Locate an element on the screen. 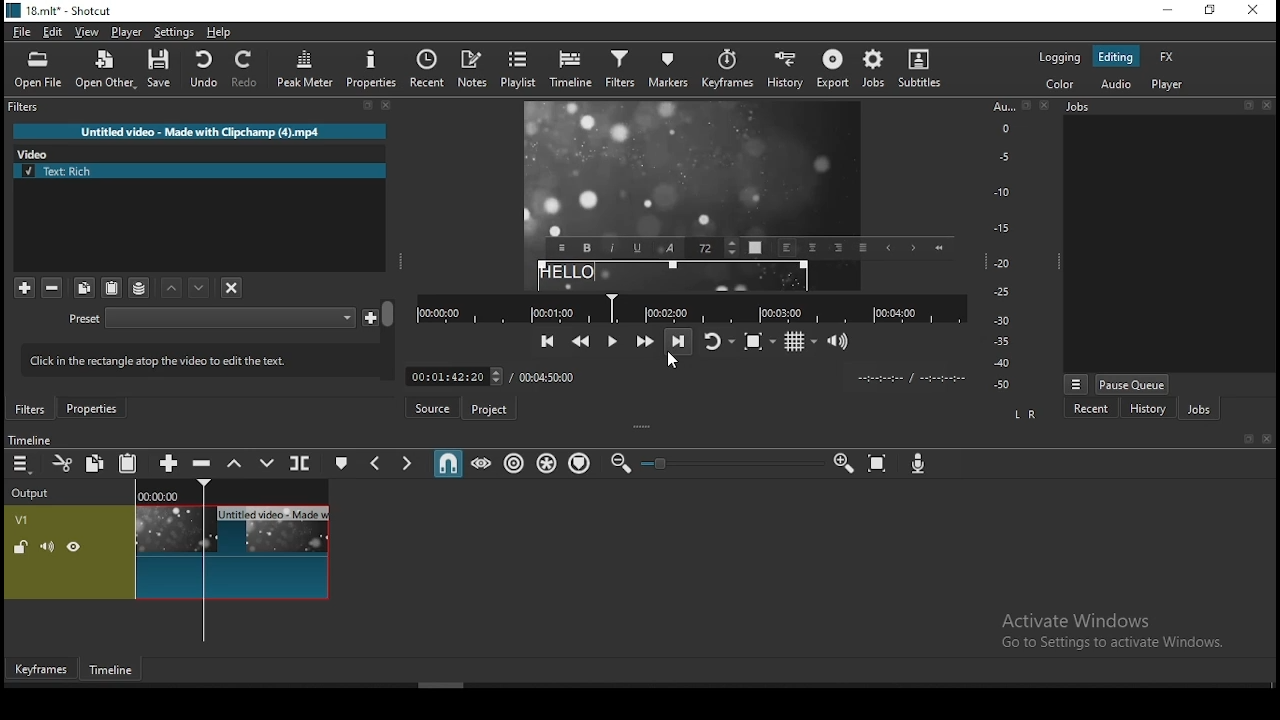 The height and width of the screenshot is (720, 1280). filters is located at coordinates (26, 107).